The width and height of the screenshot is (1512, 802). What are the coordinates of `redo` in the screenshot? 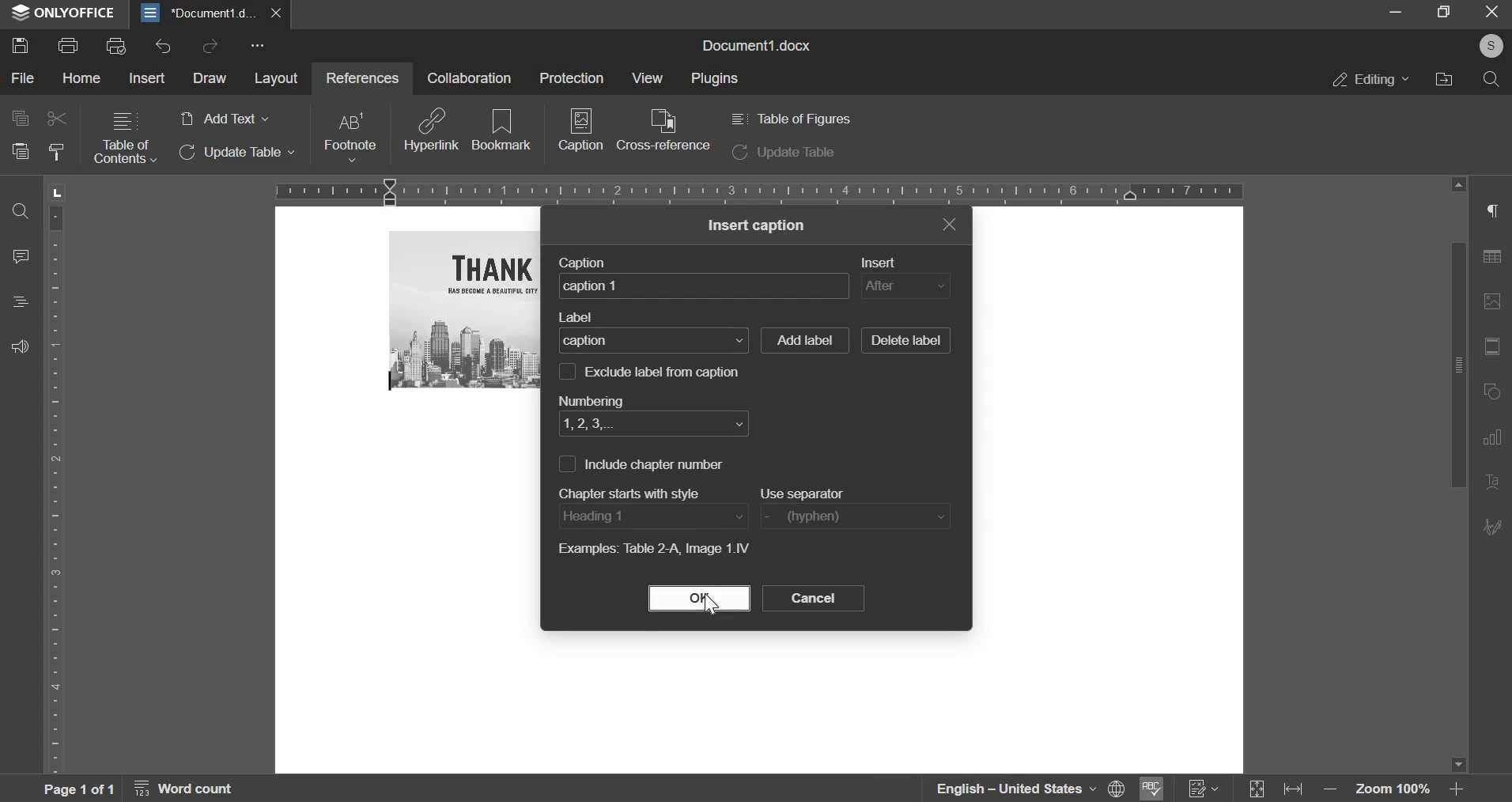 It's located at (210, 45).